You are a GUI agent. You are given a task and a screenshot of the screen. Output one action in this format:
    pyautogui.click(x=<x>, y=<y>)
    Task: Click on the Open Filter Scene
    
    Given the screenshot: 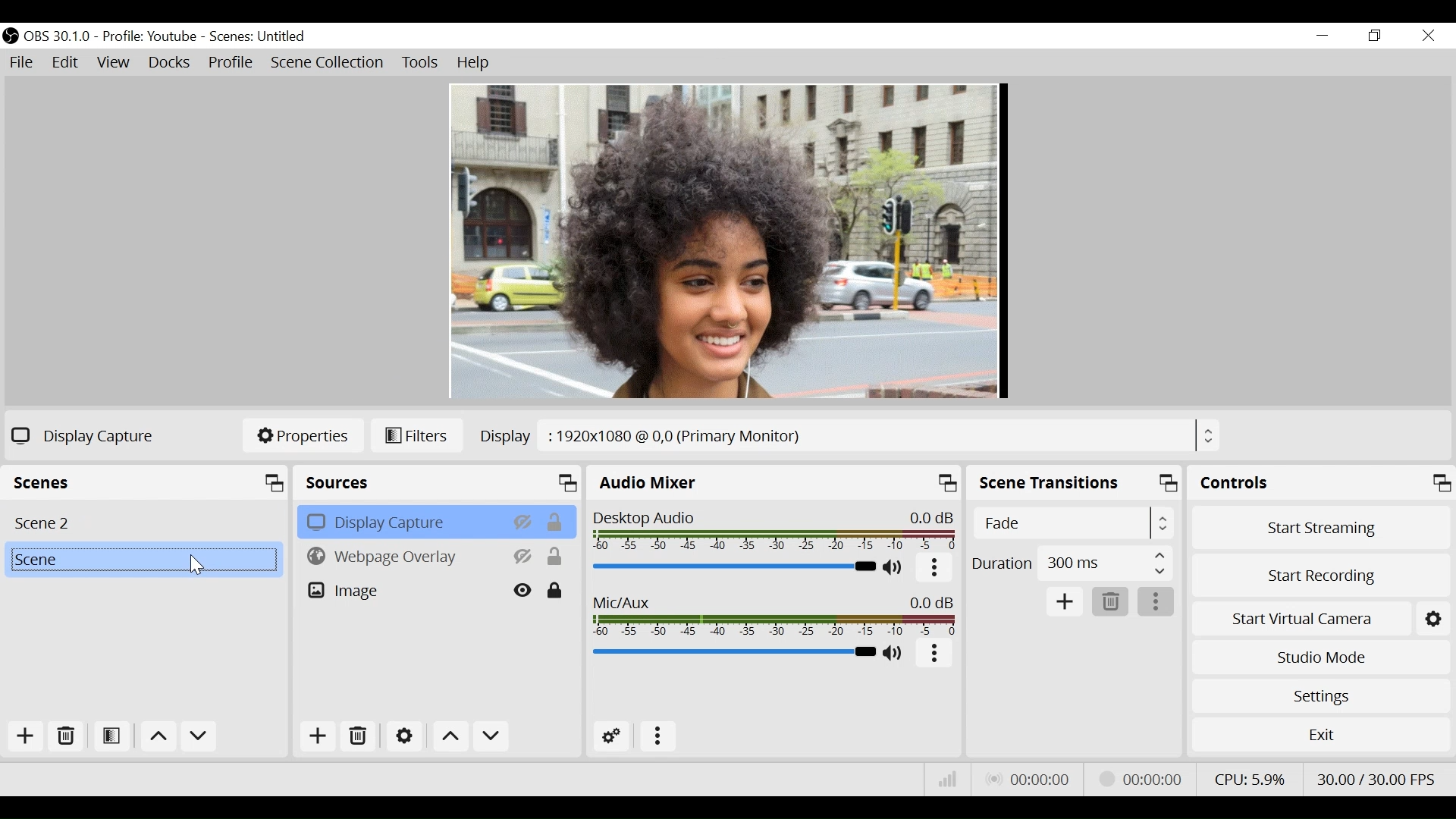 What is the action you would take?
    pyautogui.click(x=113, y=736)
    